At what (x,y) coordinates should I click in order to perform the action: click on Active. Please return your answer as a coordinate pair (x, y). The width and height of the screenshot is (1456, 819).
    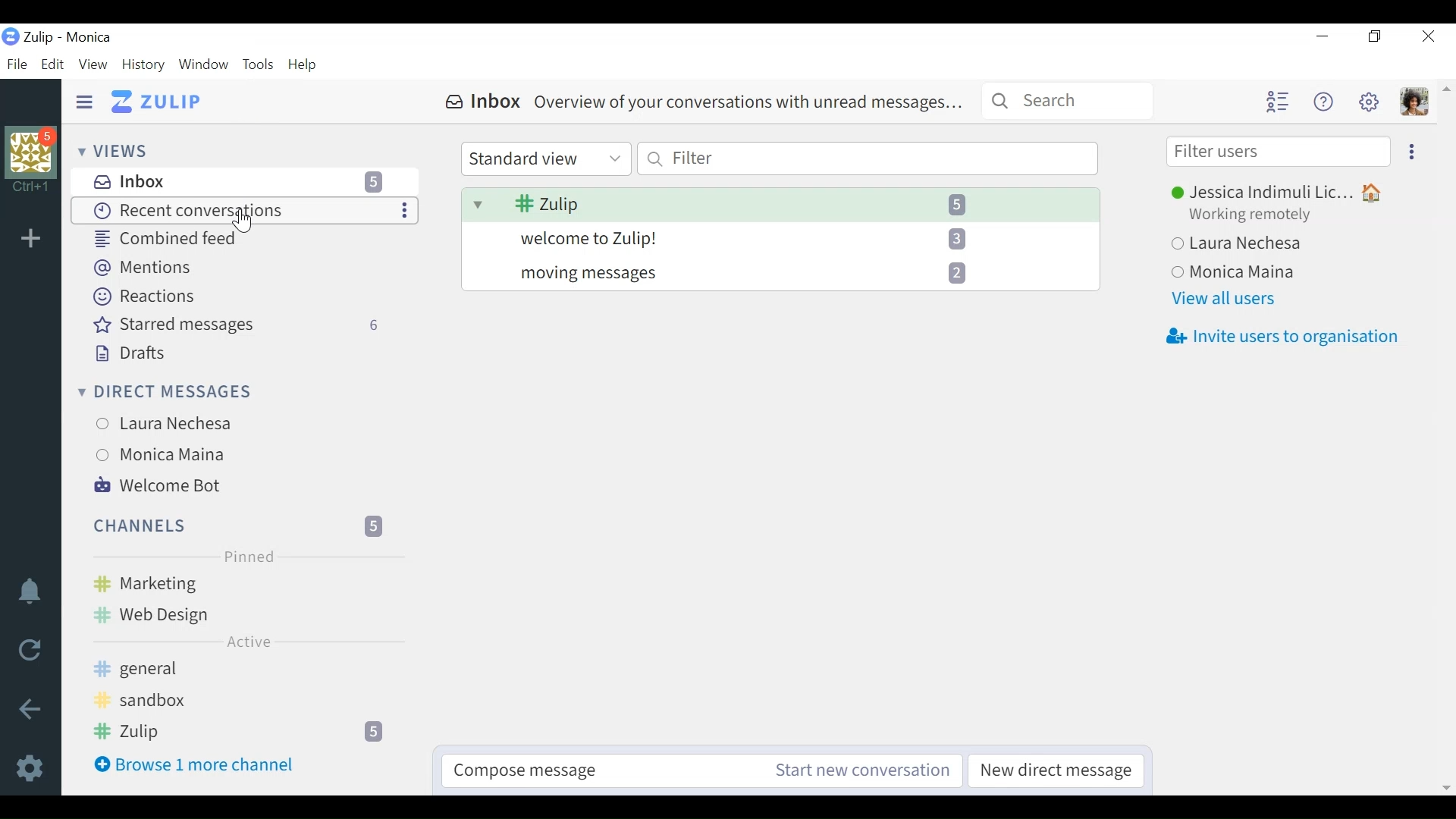
    Looking at the image, I should click on (246, 642).